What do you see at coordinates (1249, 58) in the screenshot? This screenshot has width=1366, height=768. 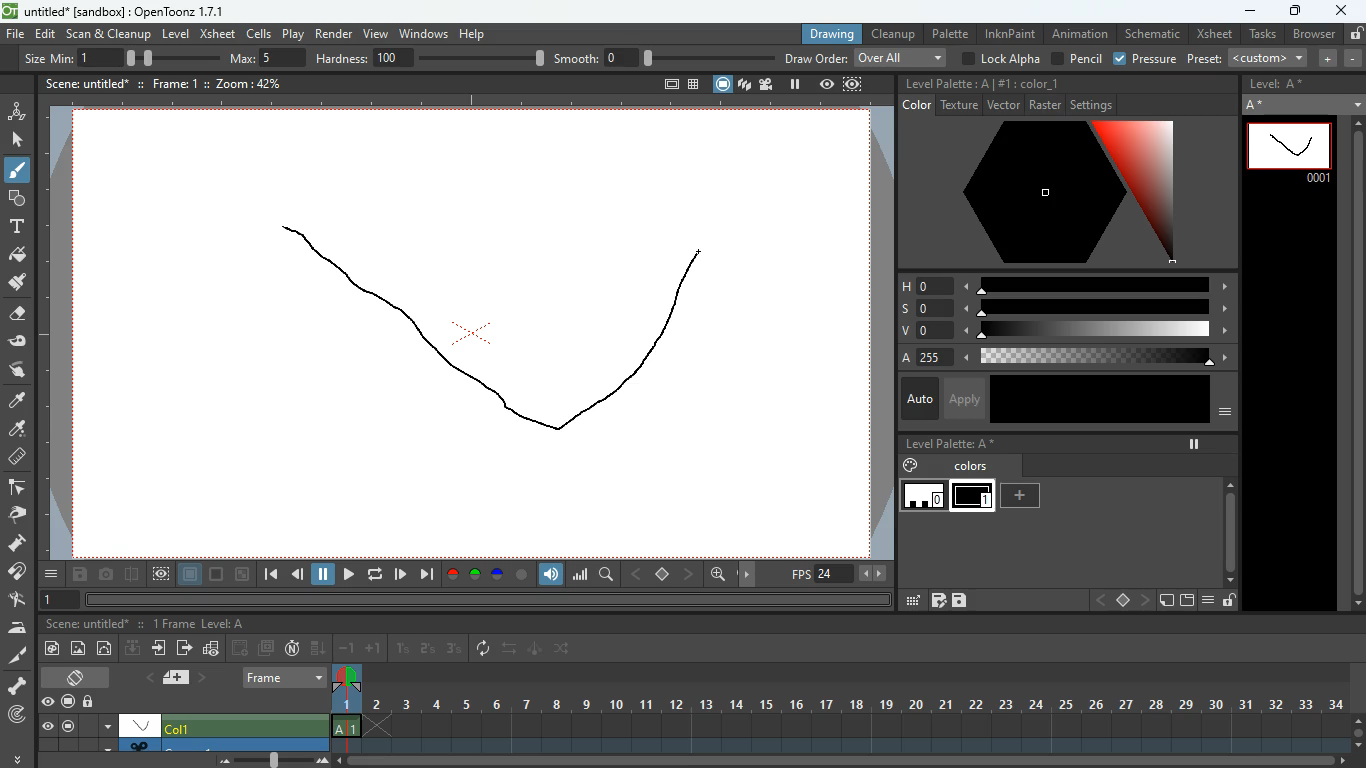 I see `preset` at bounding box center [1249, 58].